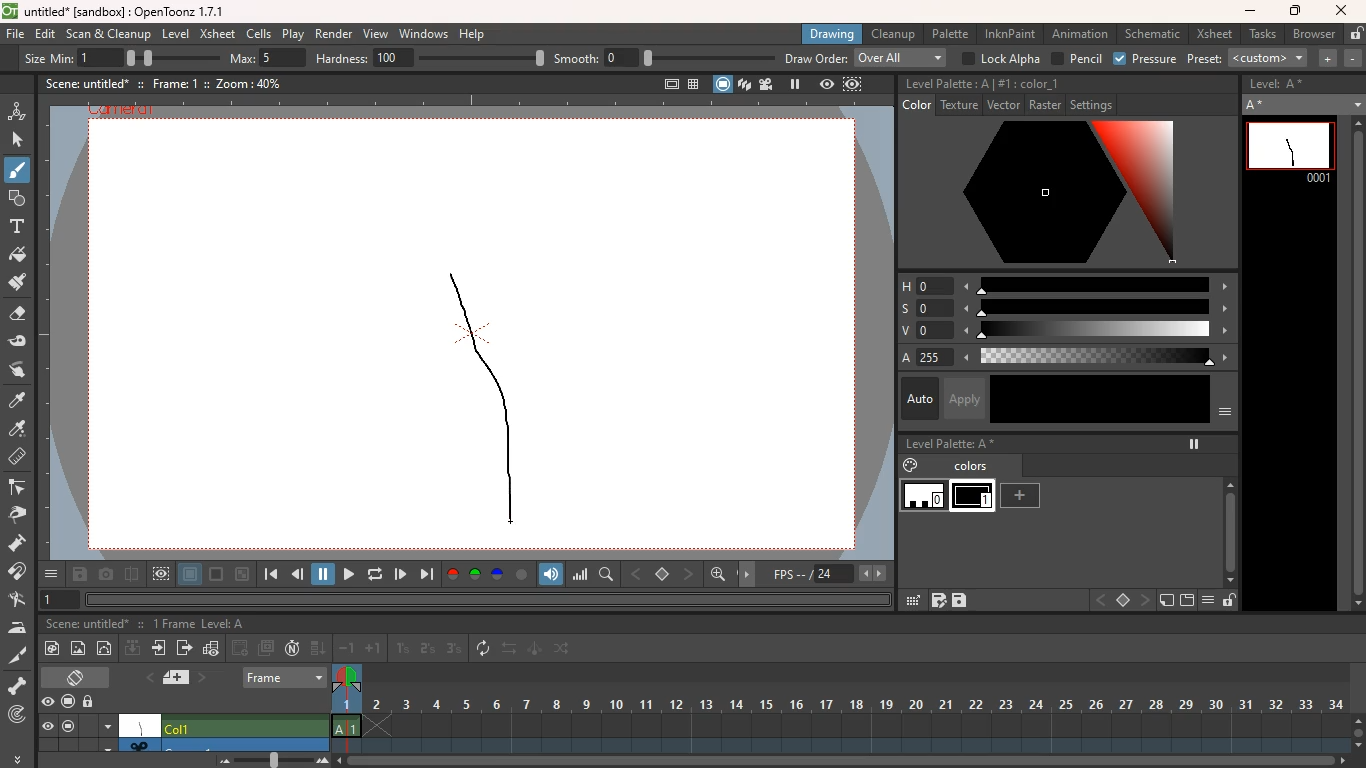  I want to click on menu, so click(1224, 416).